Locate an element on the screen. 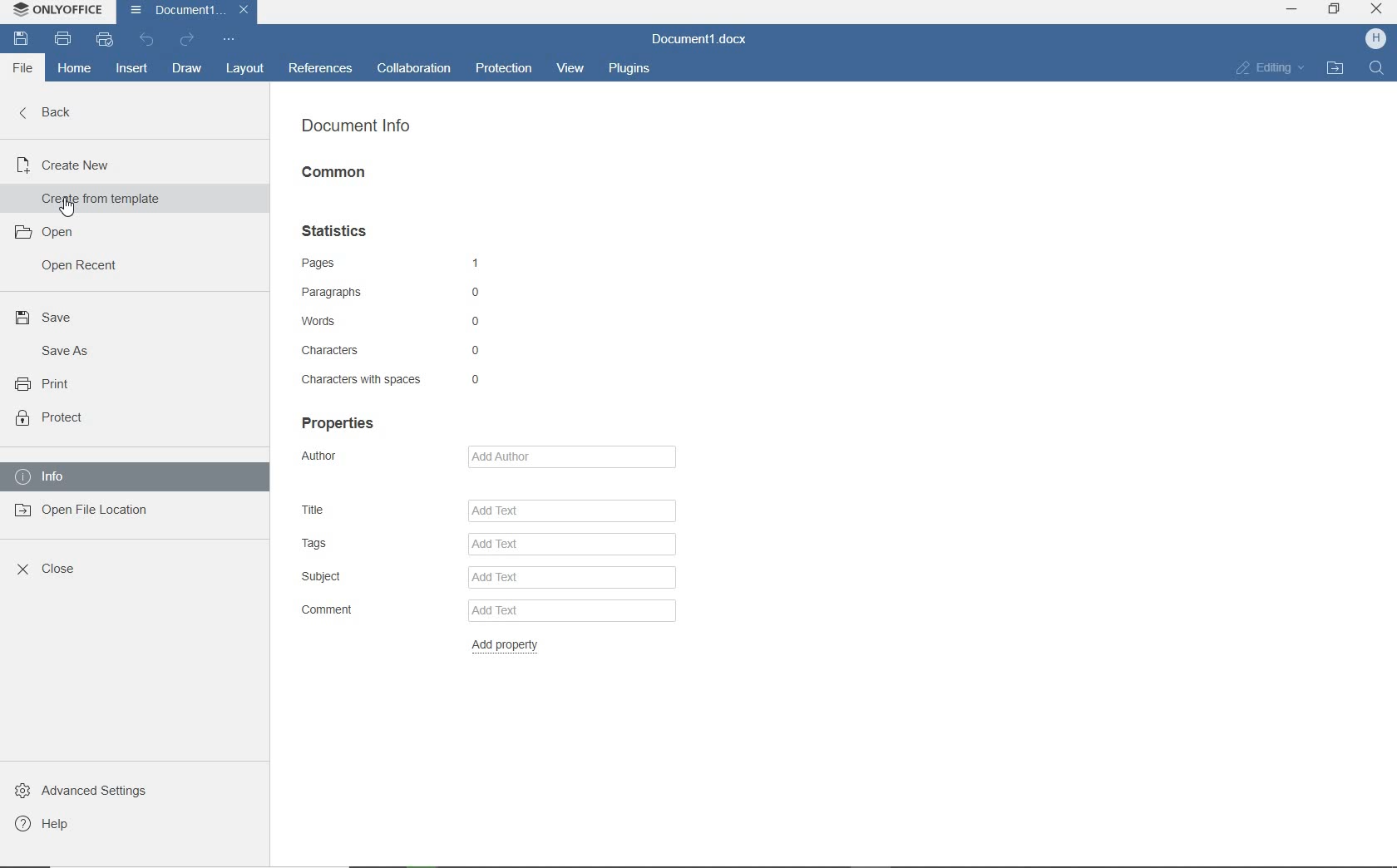 This screenshot has width=1397, height=868. words is located at coordinates (398, 323).